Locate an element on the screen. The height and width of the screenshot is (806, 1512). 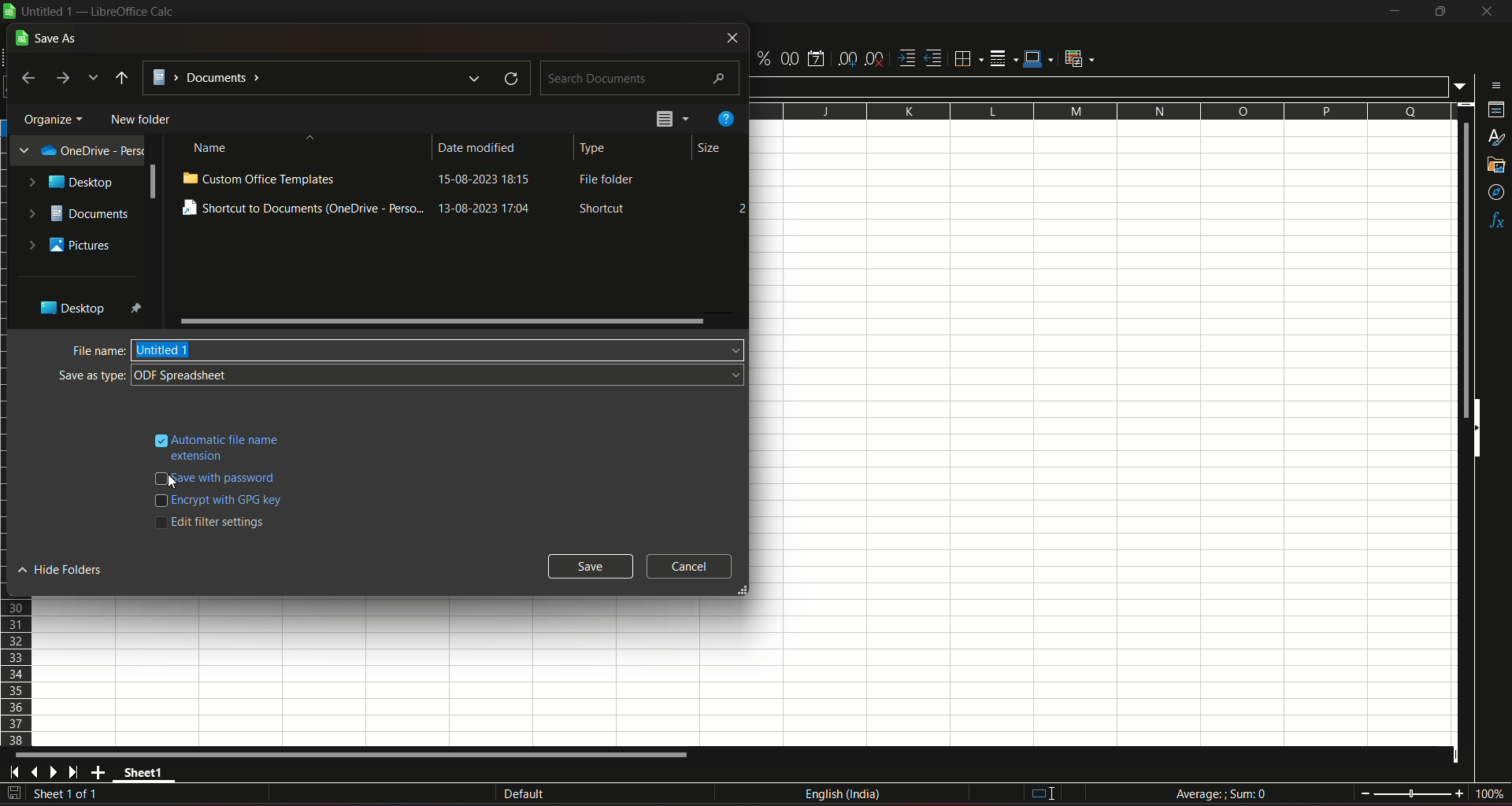
save with password is located at coordinates (228, 479).